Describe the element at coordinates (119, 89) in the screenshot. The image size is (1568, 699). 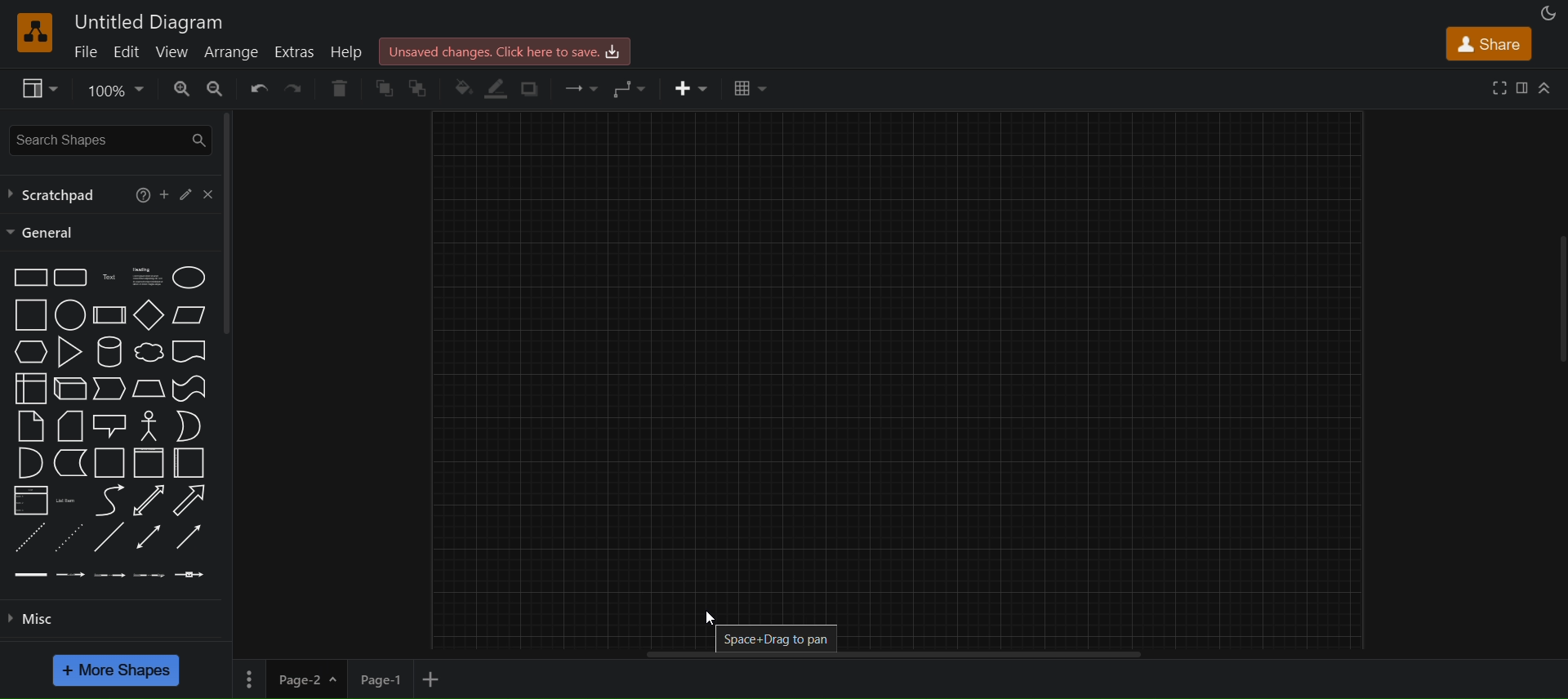
I see `zoom` at that location.